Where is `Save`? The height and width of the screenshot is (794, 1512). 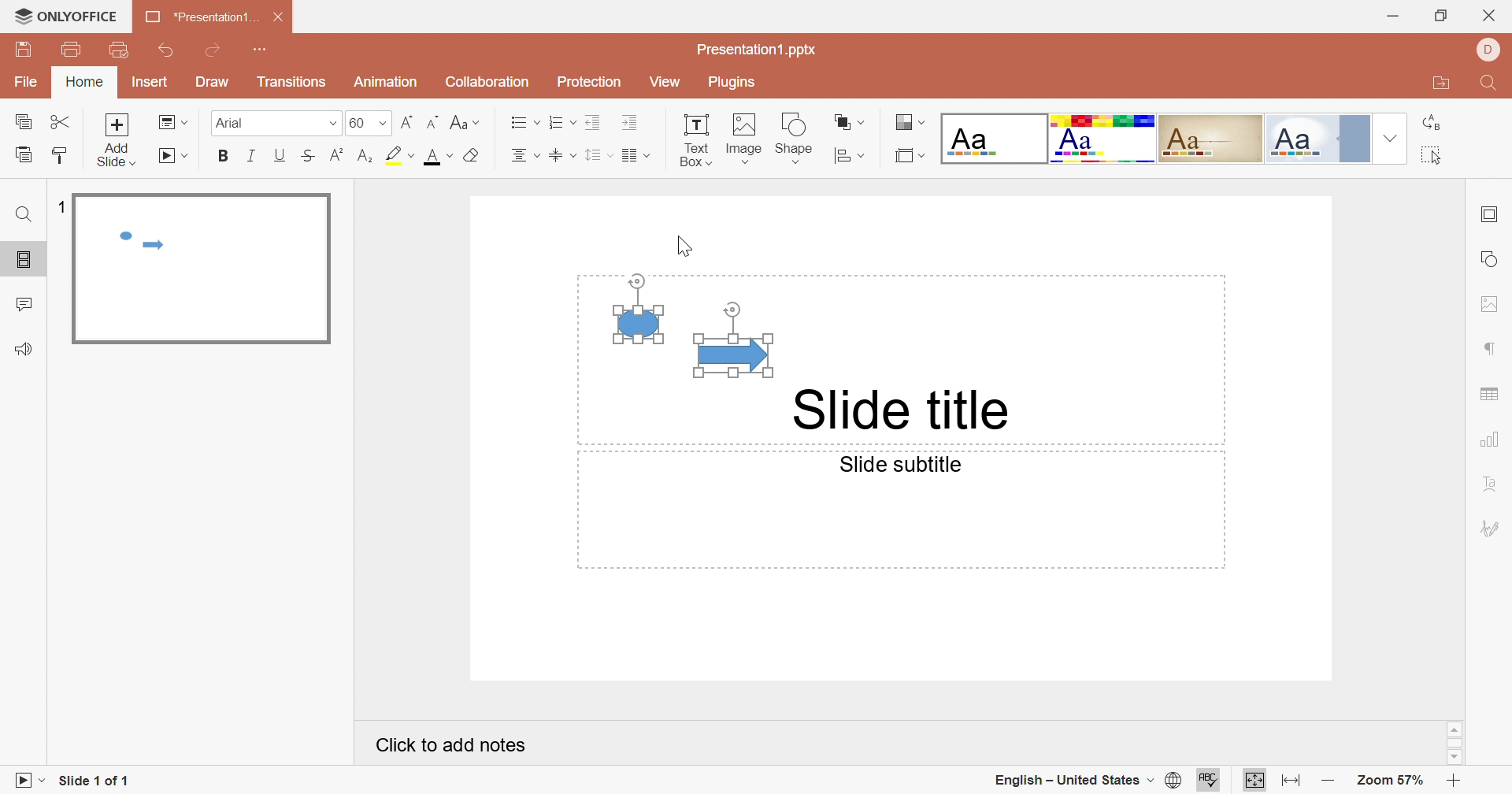
Save is located at coordinates (27, 53).